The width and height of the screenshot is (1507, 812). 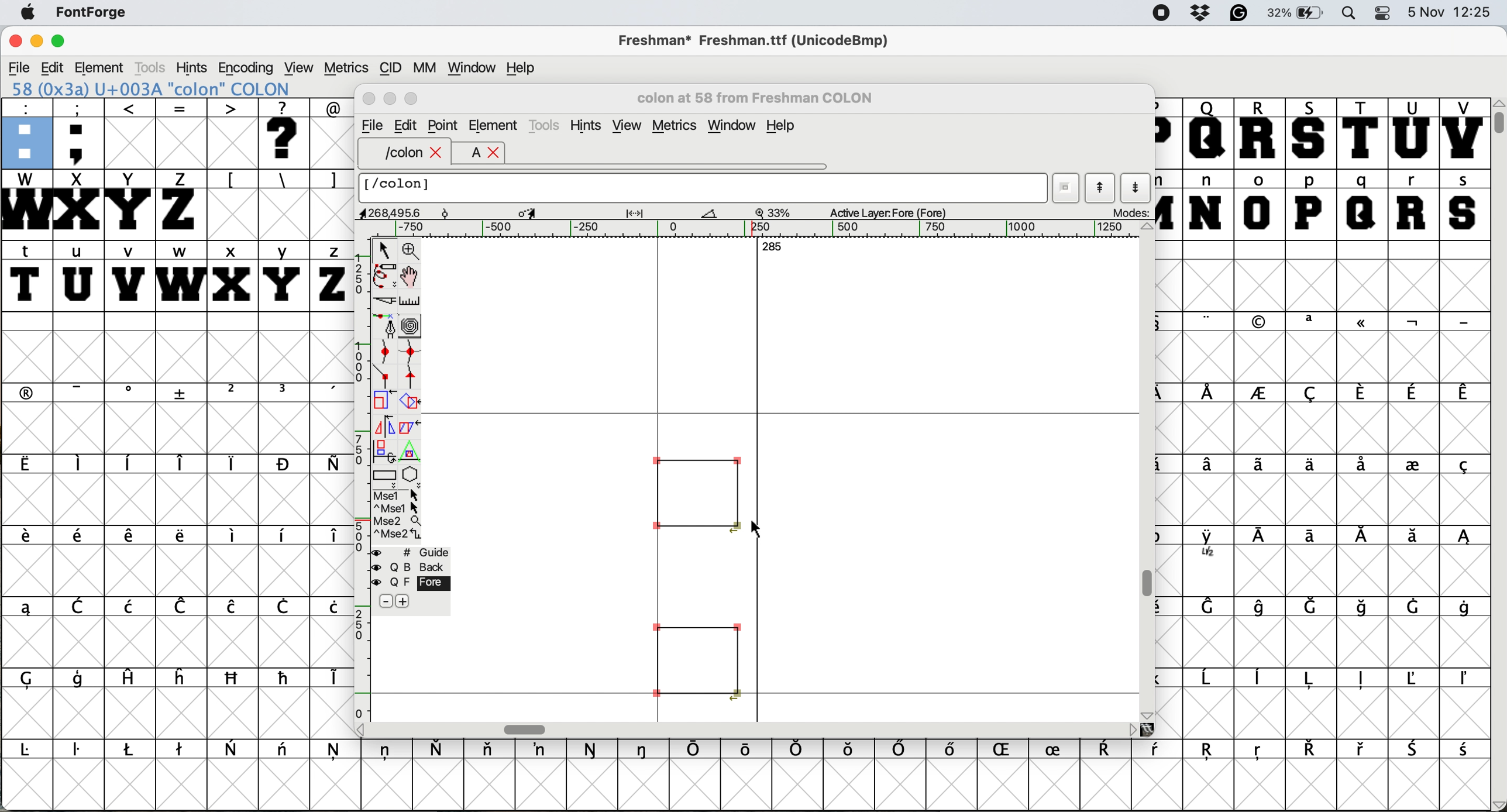 I want to click on R, so click(x=1261, y=132).